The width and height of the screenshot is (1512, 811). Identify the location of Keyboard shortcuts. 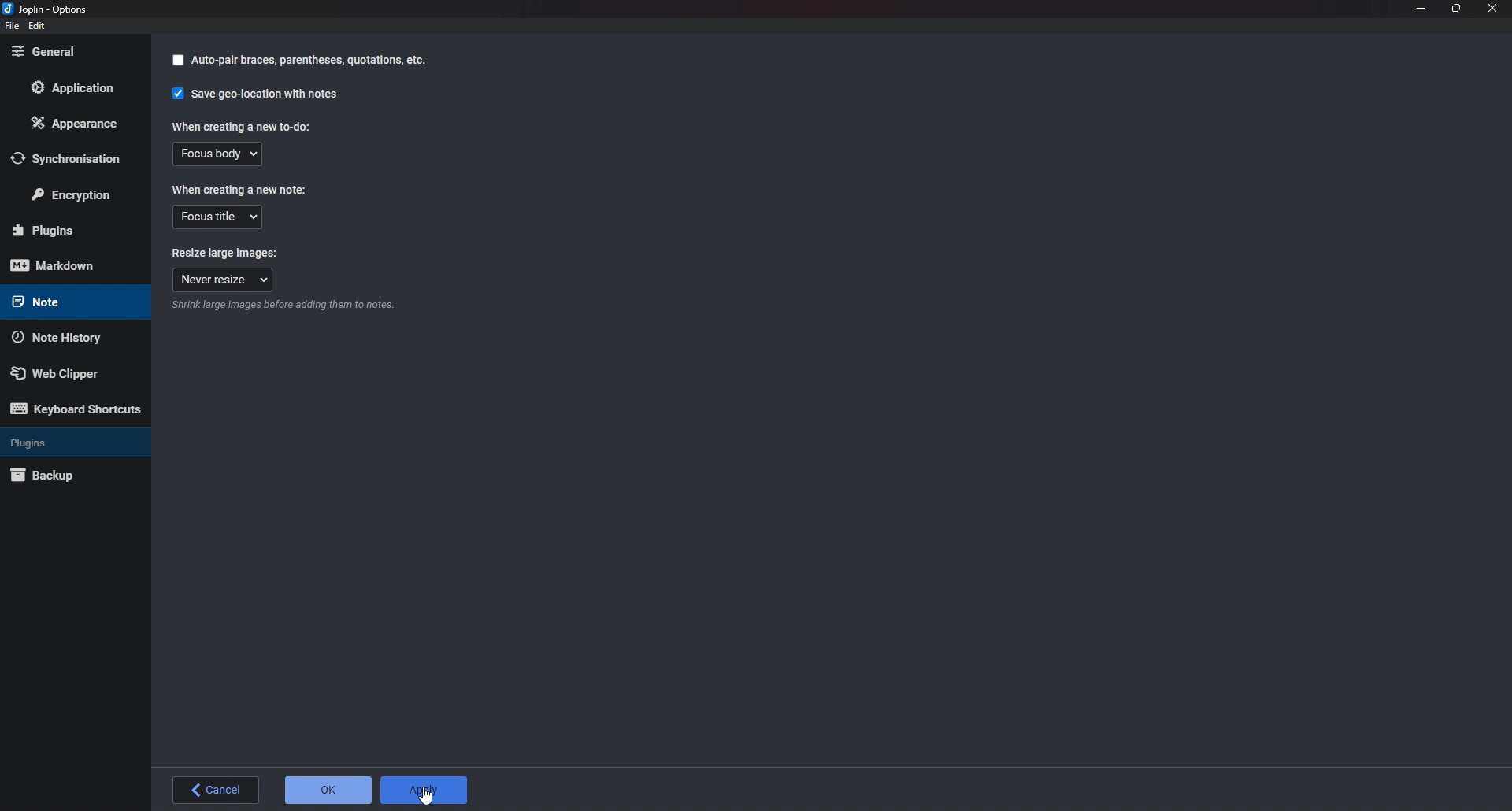
(77, 407).